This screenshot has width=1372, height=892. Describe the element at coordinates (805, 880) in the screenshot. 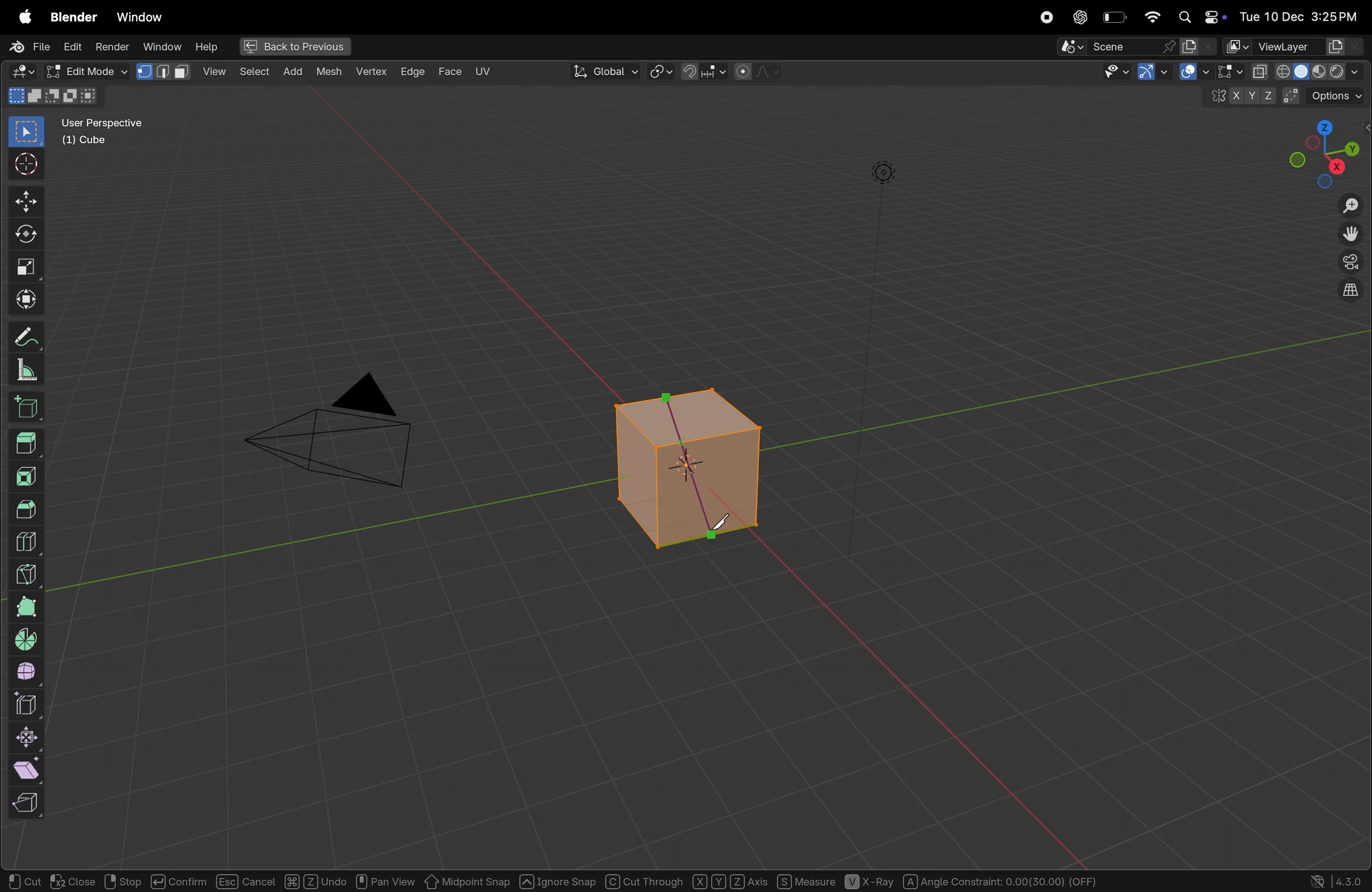

I see `Measure` at that location.